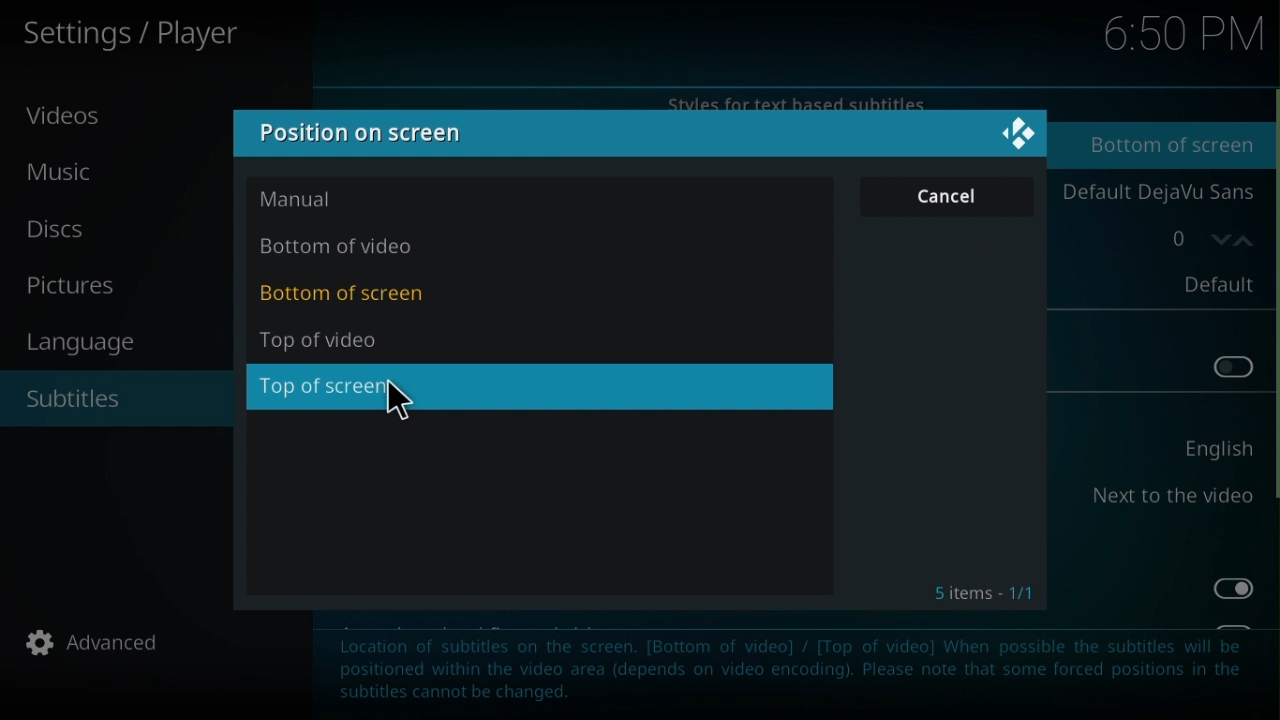 Image resolution: width=1280 pixels, height=720 pixels. Describe the element at coordinates (1227, 365) in the screenshot. I see `Toggle` at that location.